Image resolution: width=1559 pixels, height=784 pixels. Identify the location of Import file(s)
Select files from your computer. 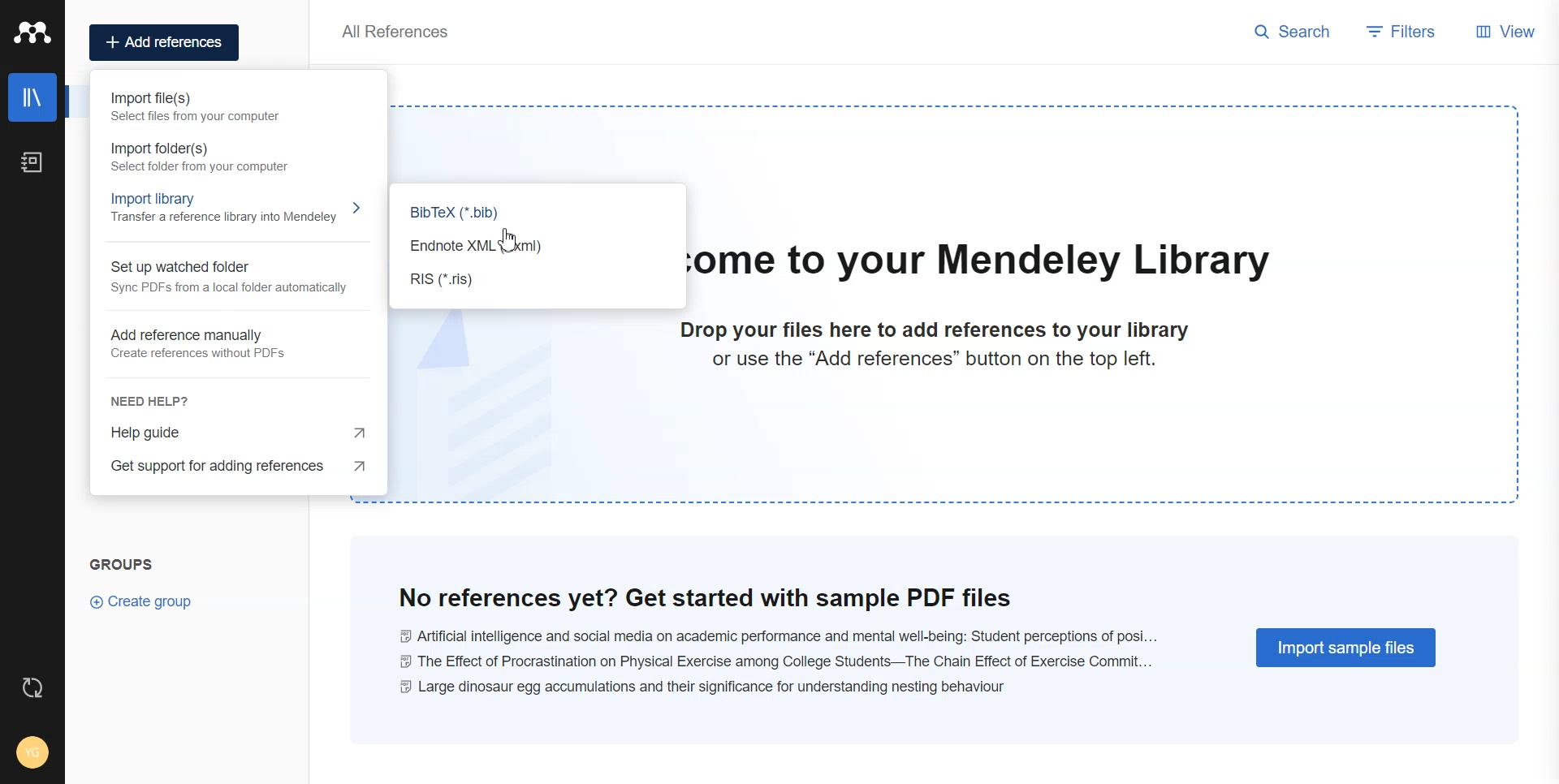
(208, 110).